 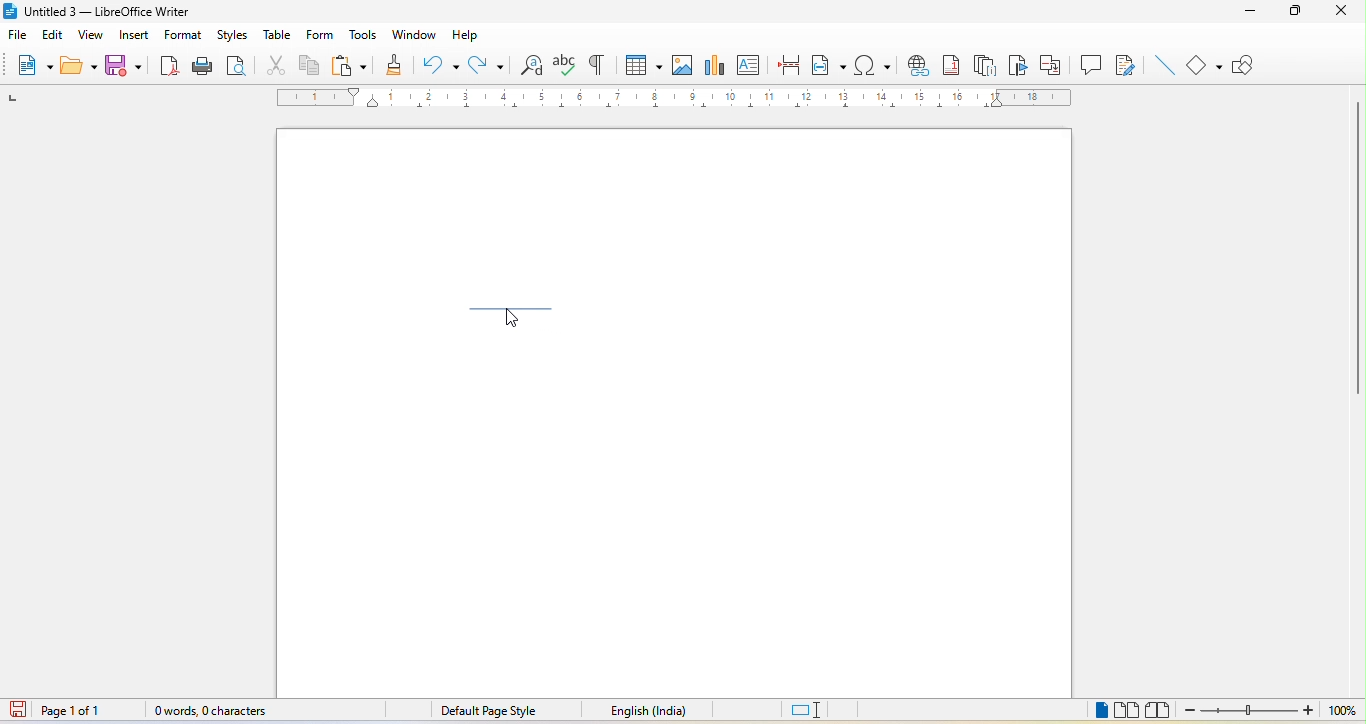 What do you see at coordinates (349, 65) in the screenshot?
I see `paste` at bounding box center [349, 65].